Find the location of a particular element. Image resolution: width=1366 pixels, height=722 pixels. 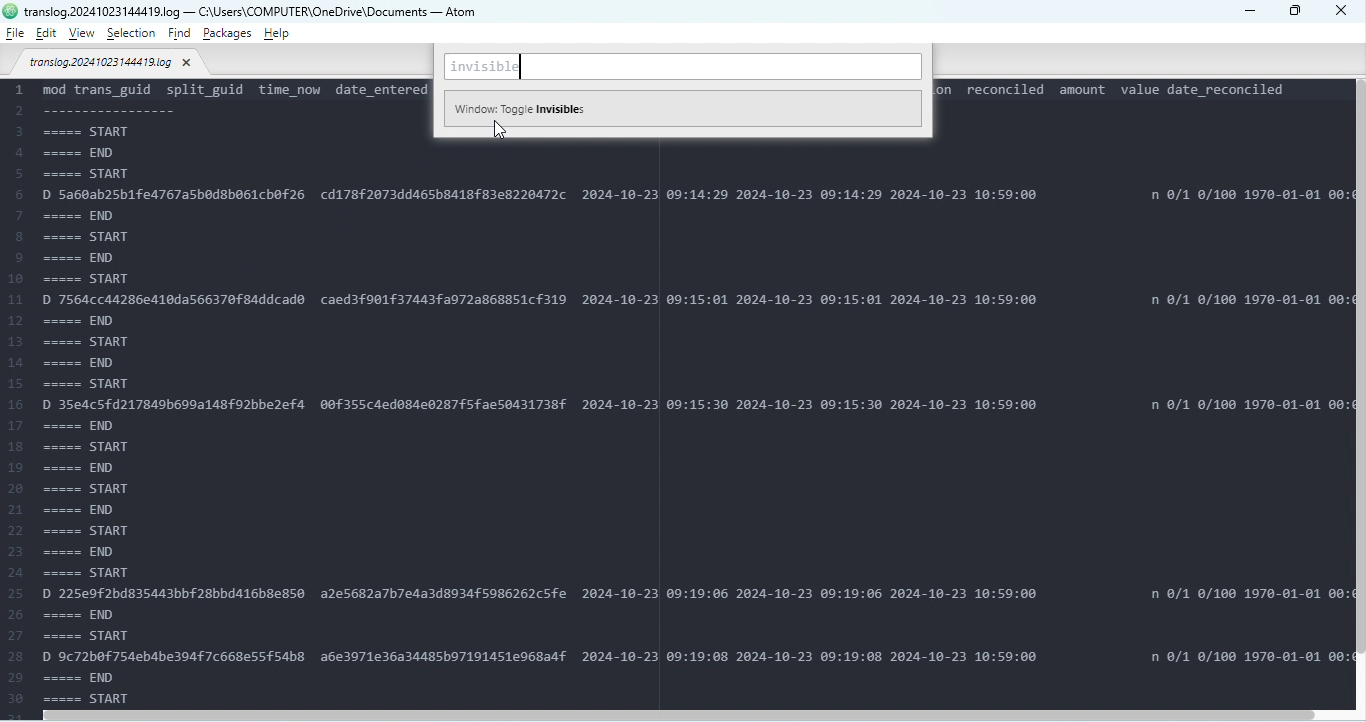

File  is located at coordinates (112, 65).